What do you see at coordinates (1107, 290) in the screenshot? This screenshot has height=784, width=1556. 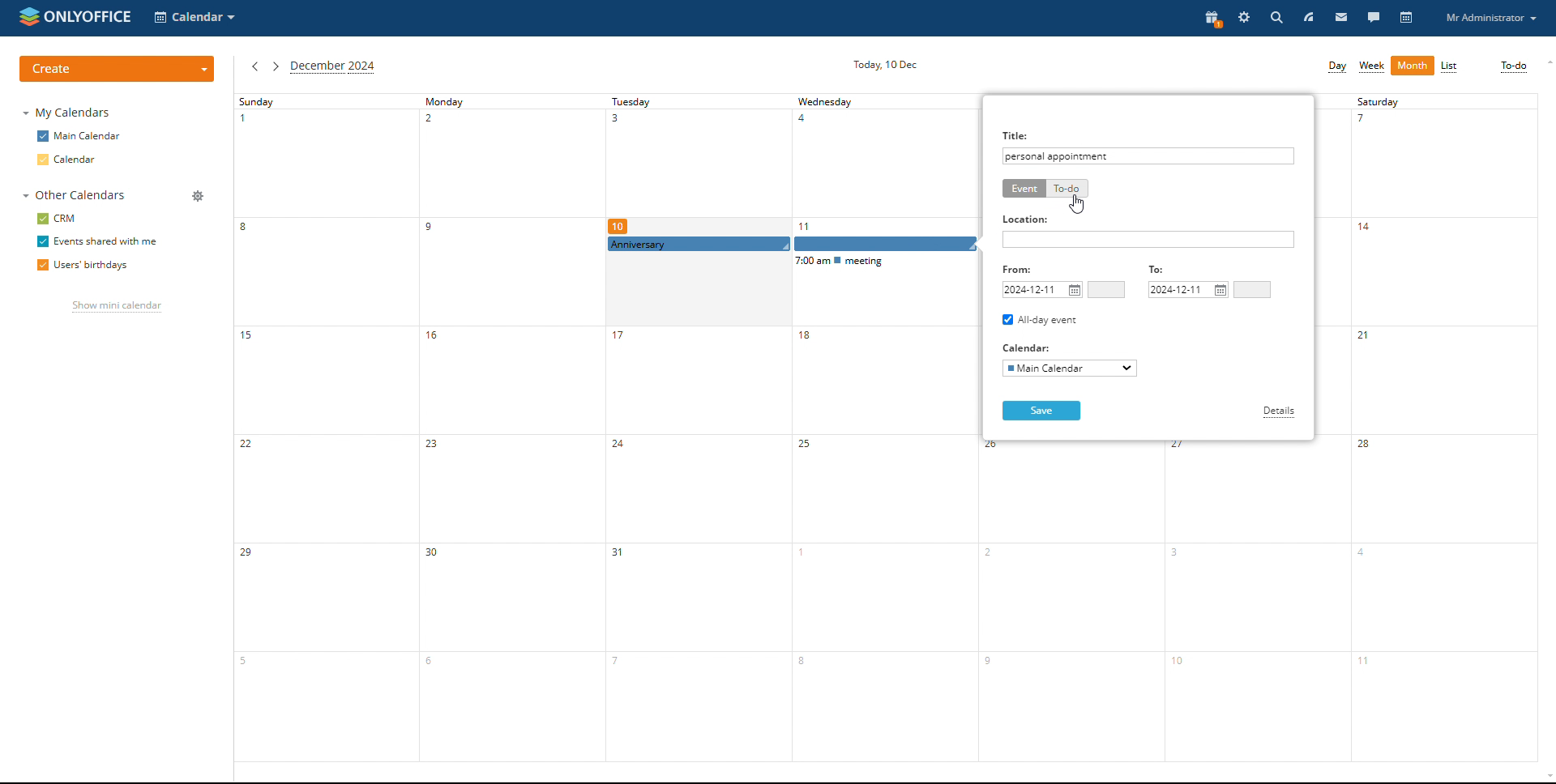 I see `start time` at bounding box center [1107, 290].